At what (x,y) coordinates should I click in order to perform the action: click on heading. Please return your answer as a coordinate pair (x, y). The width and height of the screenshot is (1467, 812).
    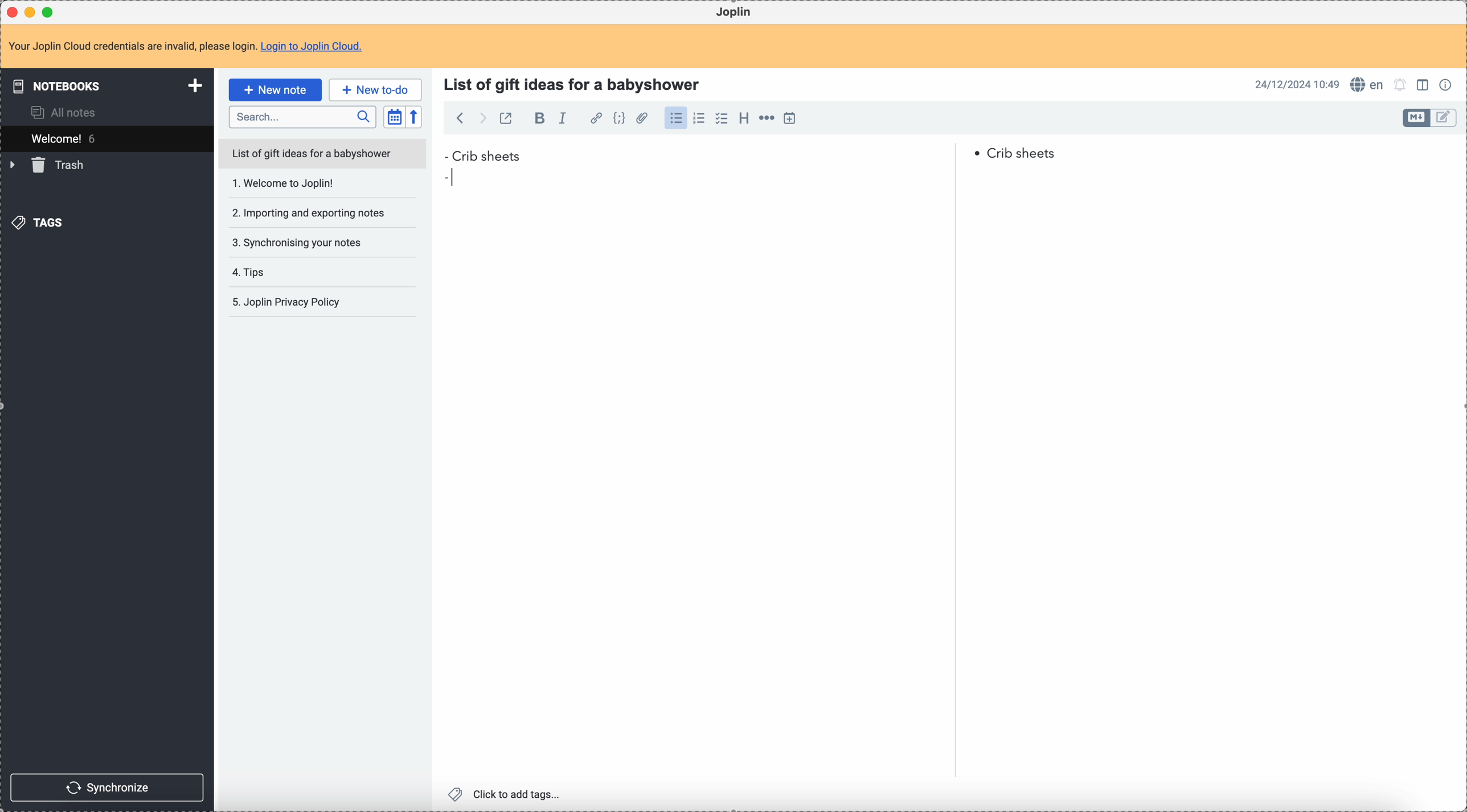
    Looking at the image, I should click on (744, 121).